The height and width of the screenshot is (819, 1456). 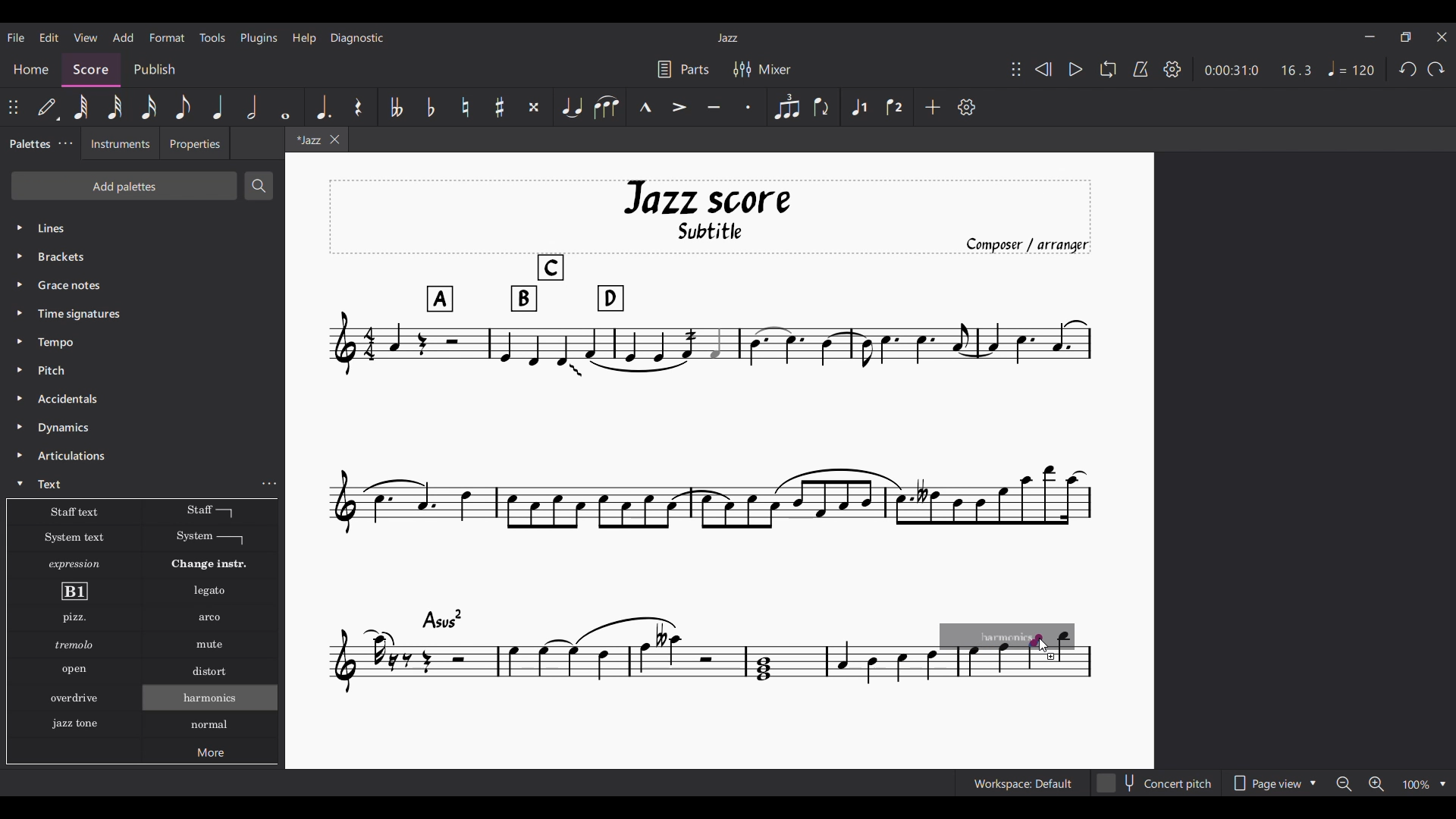 I want to click on overdrive, so click(x=75, y=700).